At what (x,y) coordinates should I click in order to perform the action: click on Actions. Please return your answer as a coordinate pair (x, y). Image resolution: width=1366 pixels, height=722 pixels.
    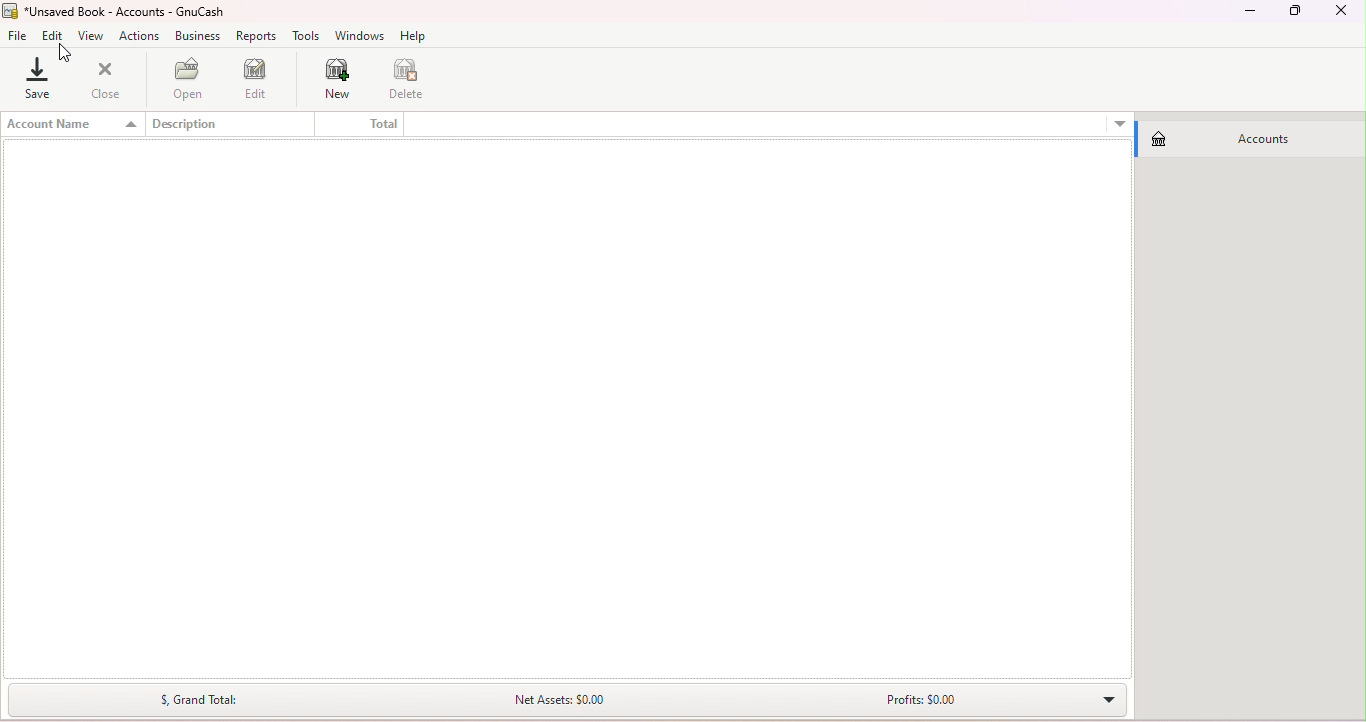
    Looking at the image, I should click on (138, 36).